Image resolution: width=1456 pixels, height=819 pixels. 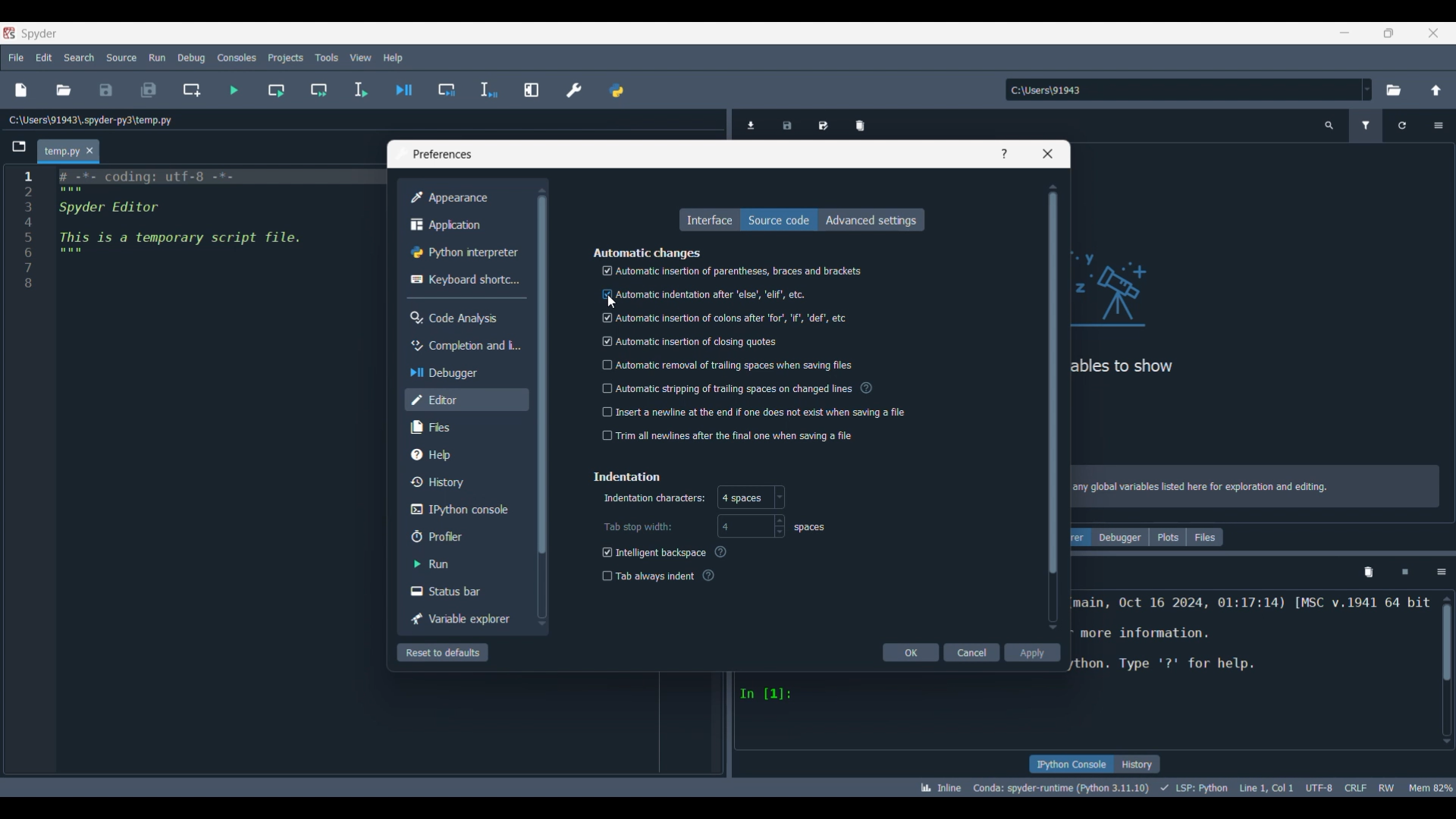 I want to click on Keyboard shortcuts, so click(x=465, y=281).